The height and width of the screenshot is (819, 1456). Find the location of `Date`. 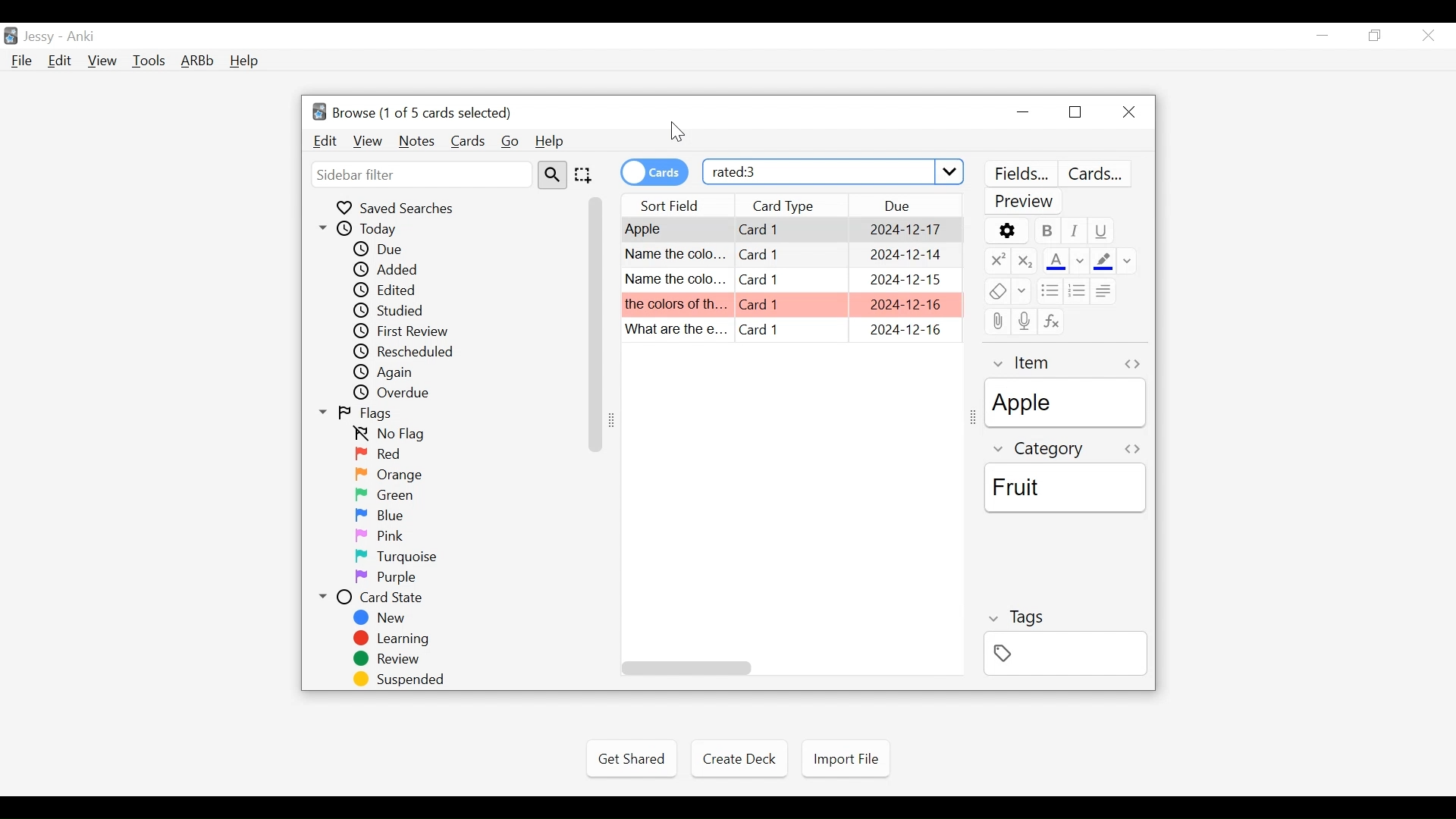

Date is located at coordinates (905, 281).